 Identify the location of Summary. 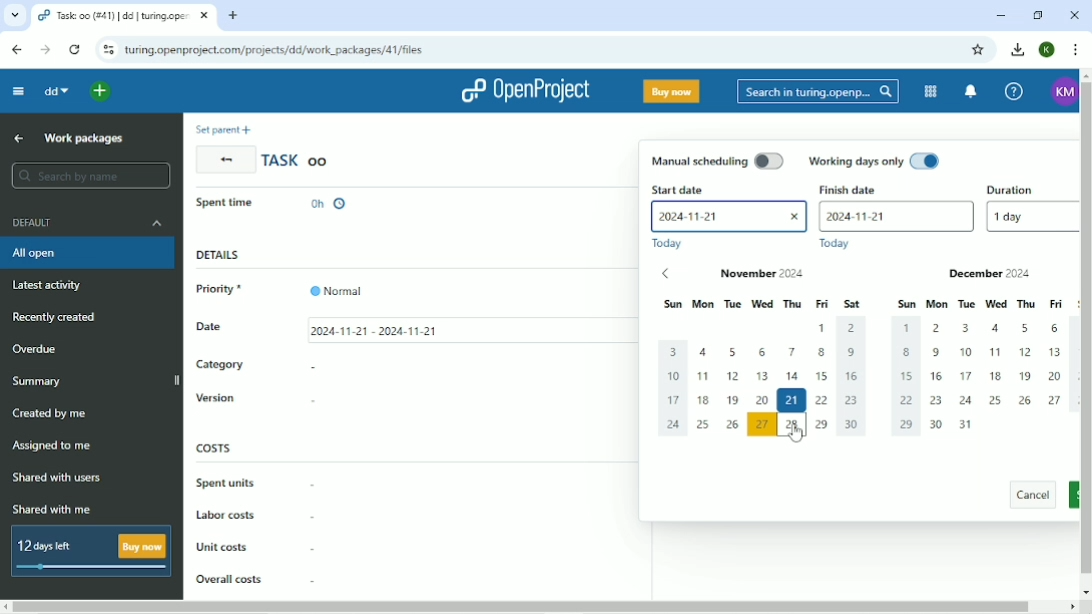
(41, 380).